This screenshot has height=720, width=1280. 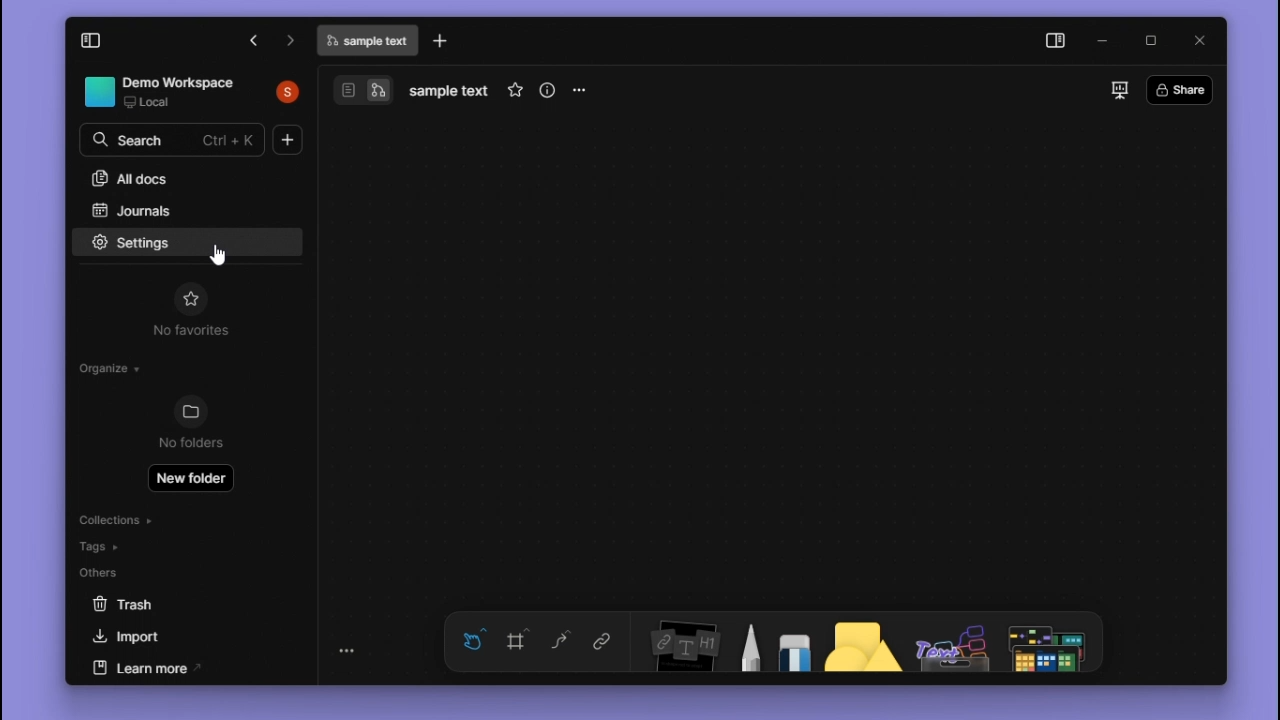 I want to click on settings, so click(x=125, y=242).